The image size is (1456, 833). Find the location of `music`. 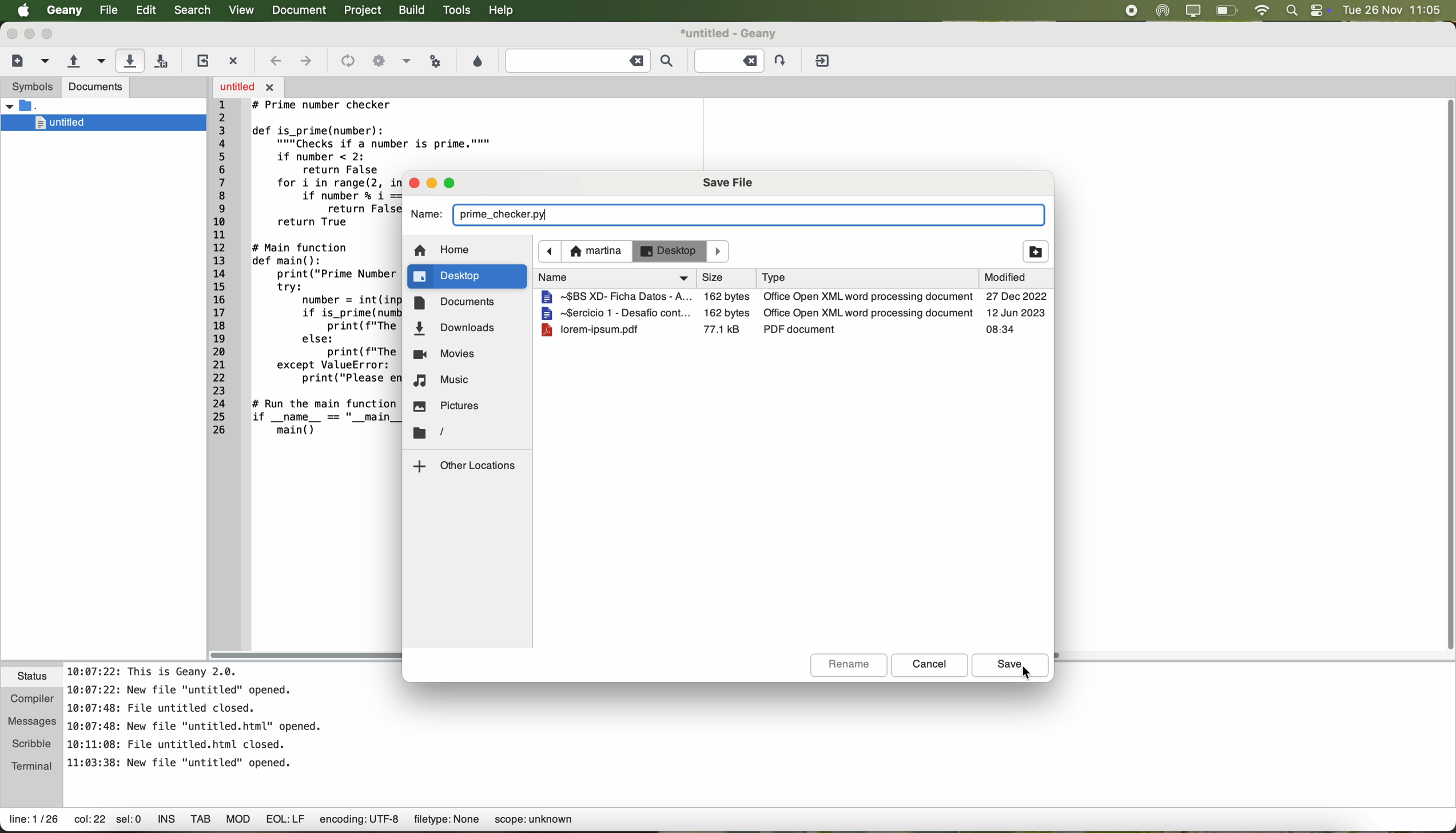

music is located at coordinates (443, 381).